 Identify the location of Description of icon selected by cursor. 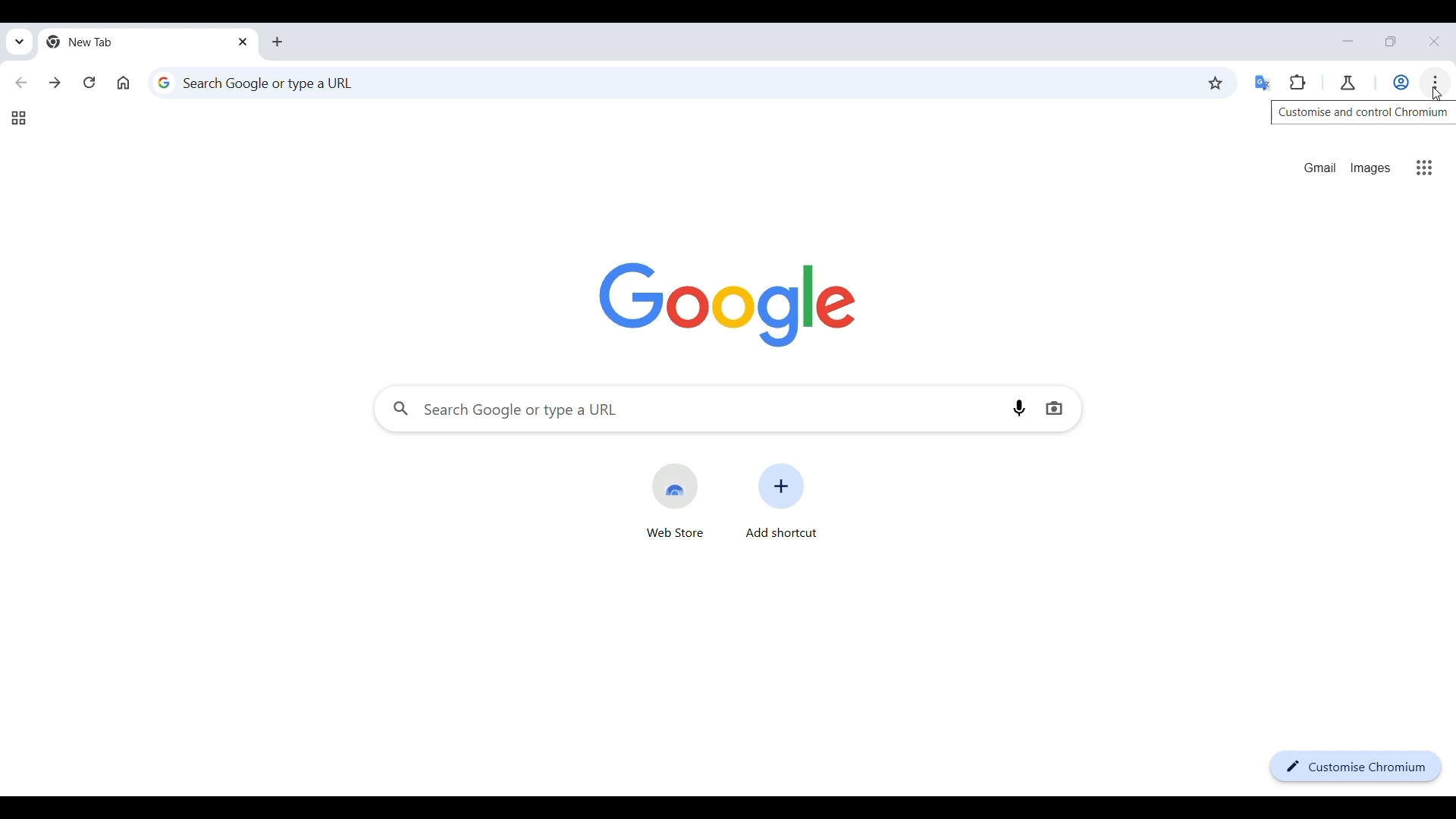
(1363, 112).